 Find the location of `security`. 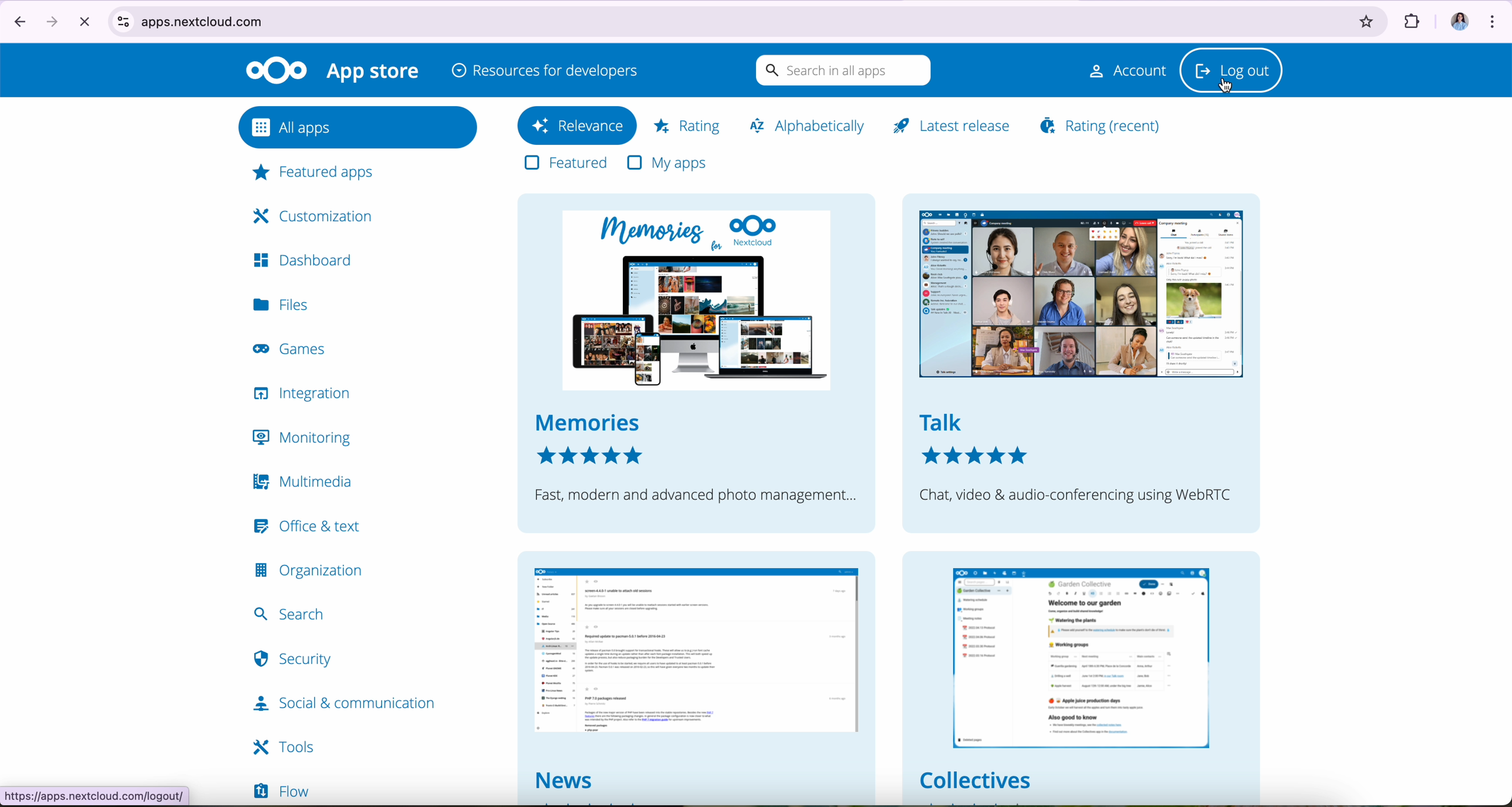

security is located at coordinates (292, 657).